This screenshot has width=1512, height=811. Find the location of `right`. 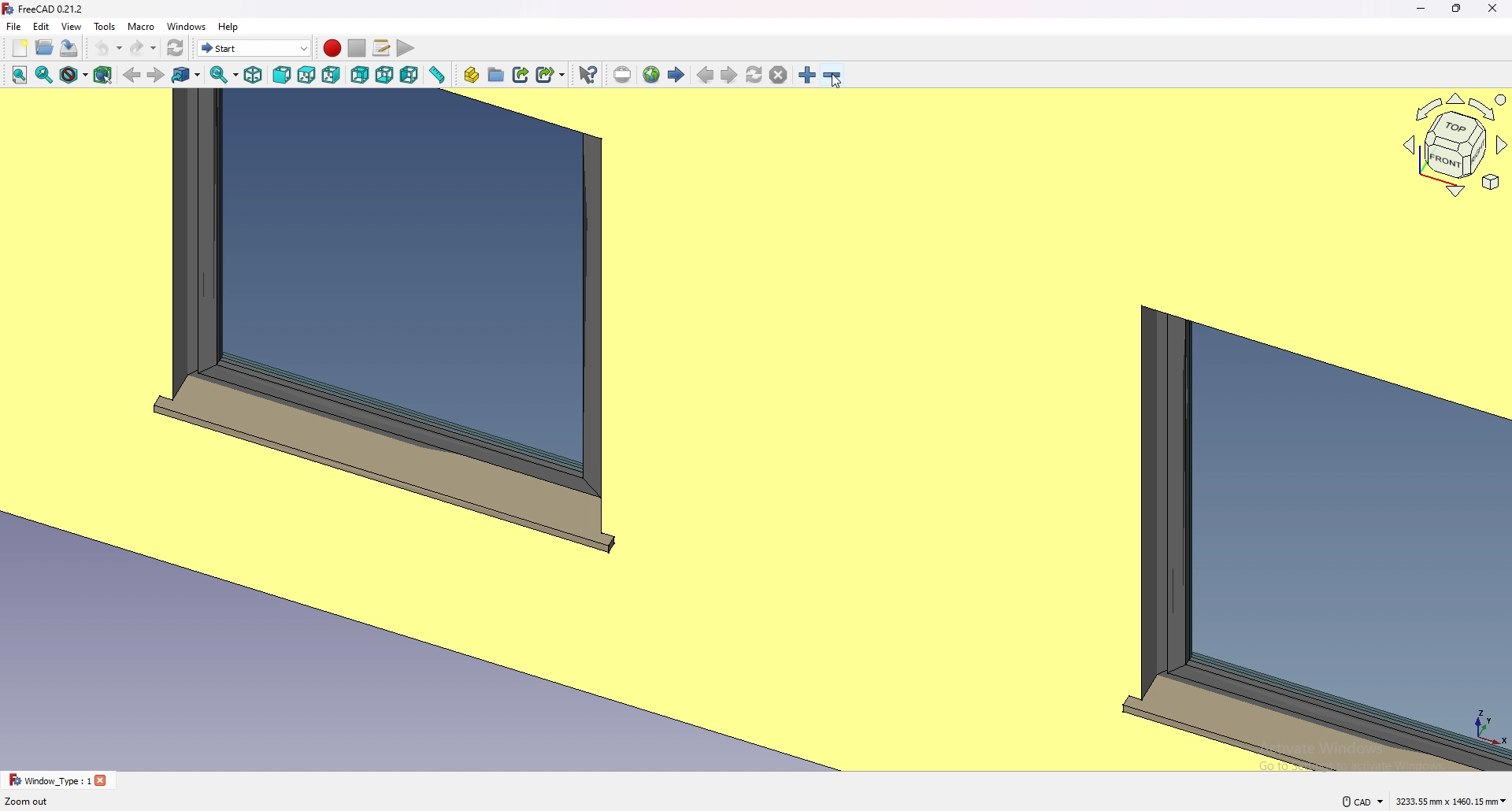

right is located at coordinates (333, 74).